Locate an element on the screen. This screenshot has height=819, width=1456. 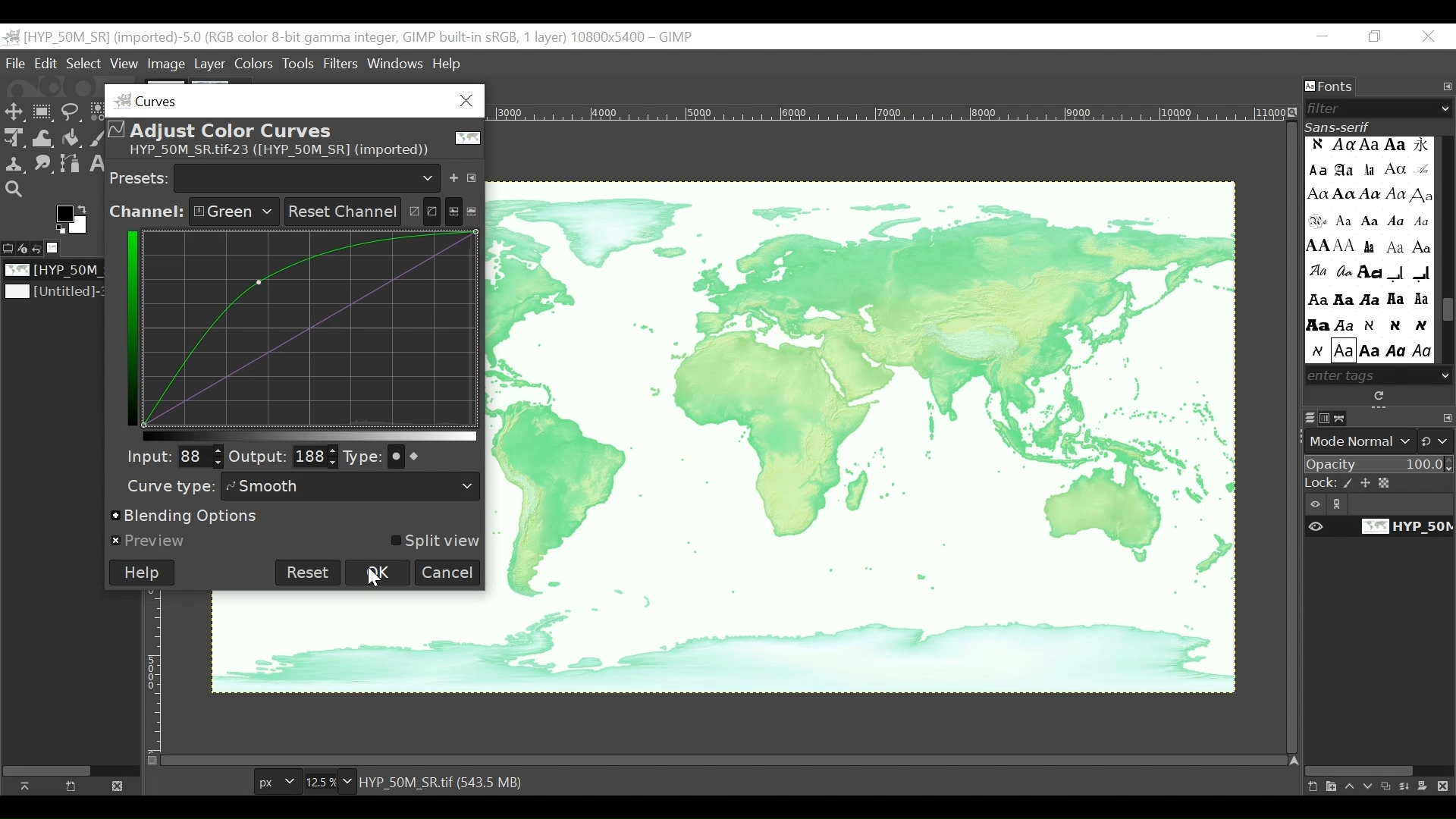
Item visibility is located at coordinates (1379, 504).